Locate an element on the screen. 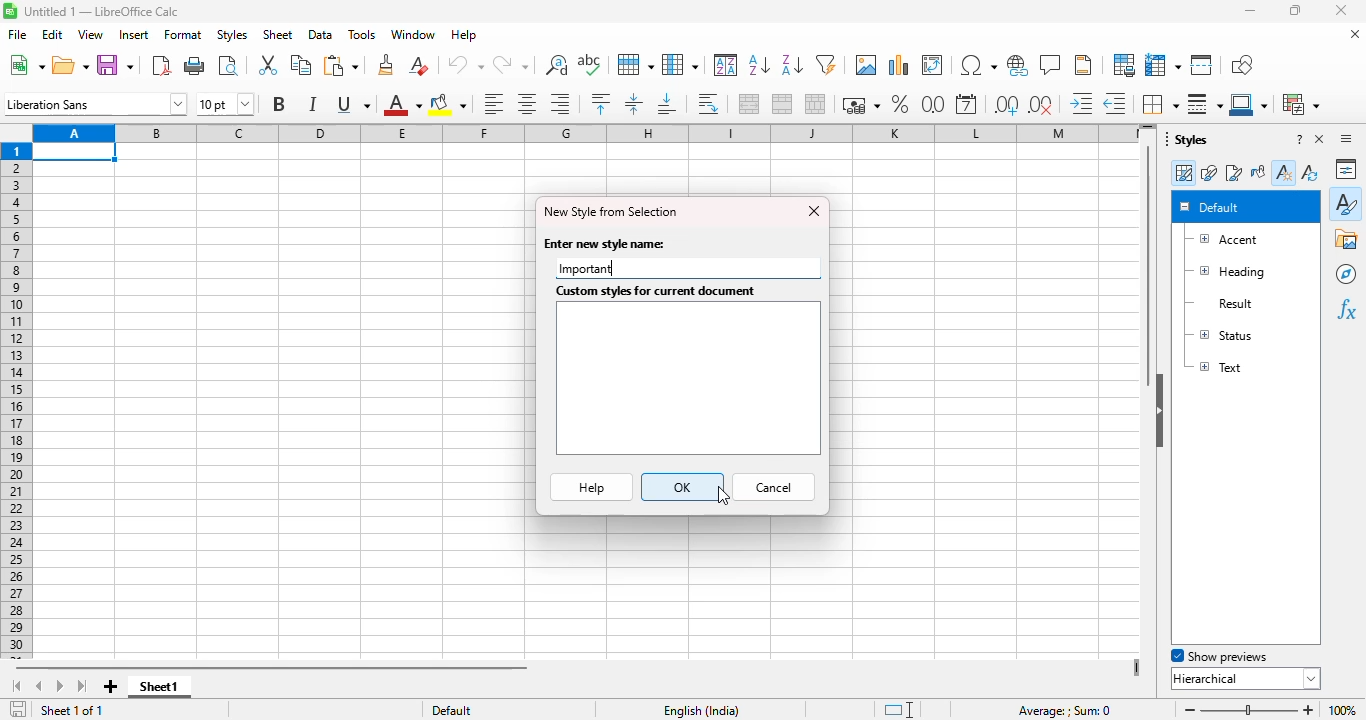  paste is located at coordinates (341, 65).